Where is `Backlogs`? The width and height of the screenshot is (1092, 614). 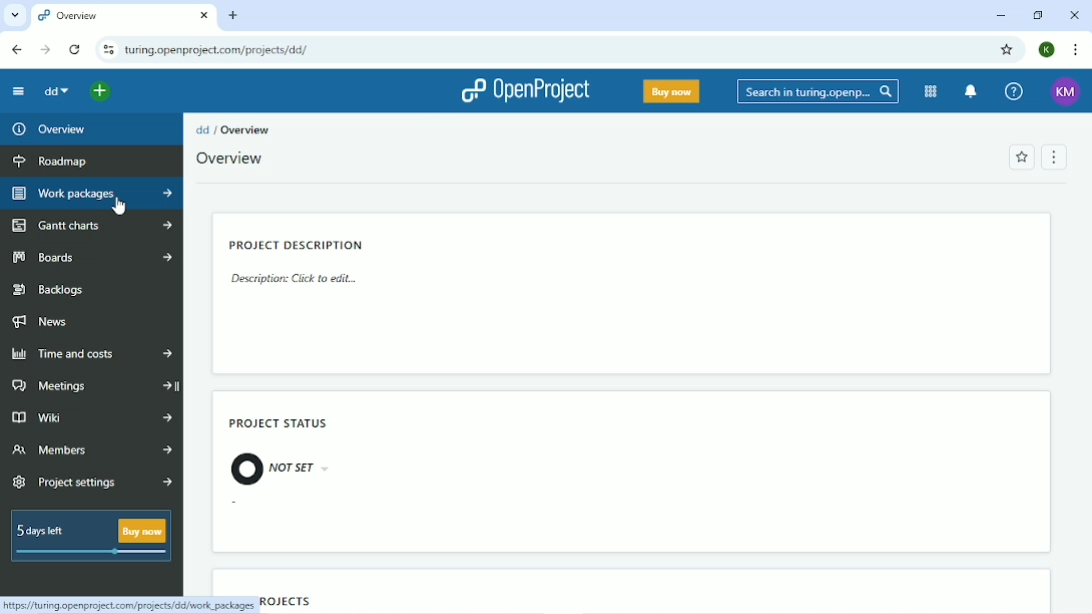 Backlogs is located at coordinates (57, 290).